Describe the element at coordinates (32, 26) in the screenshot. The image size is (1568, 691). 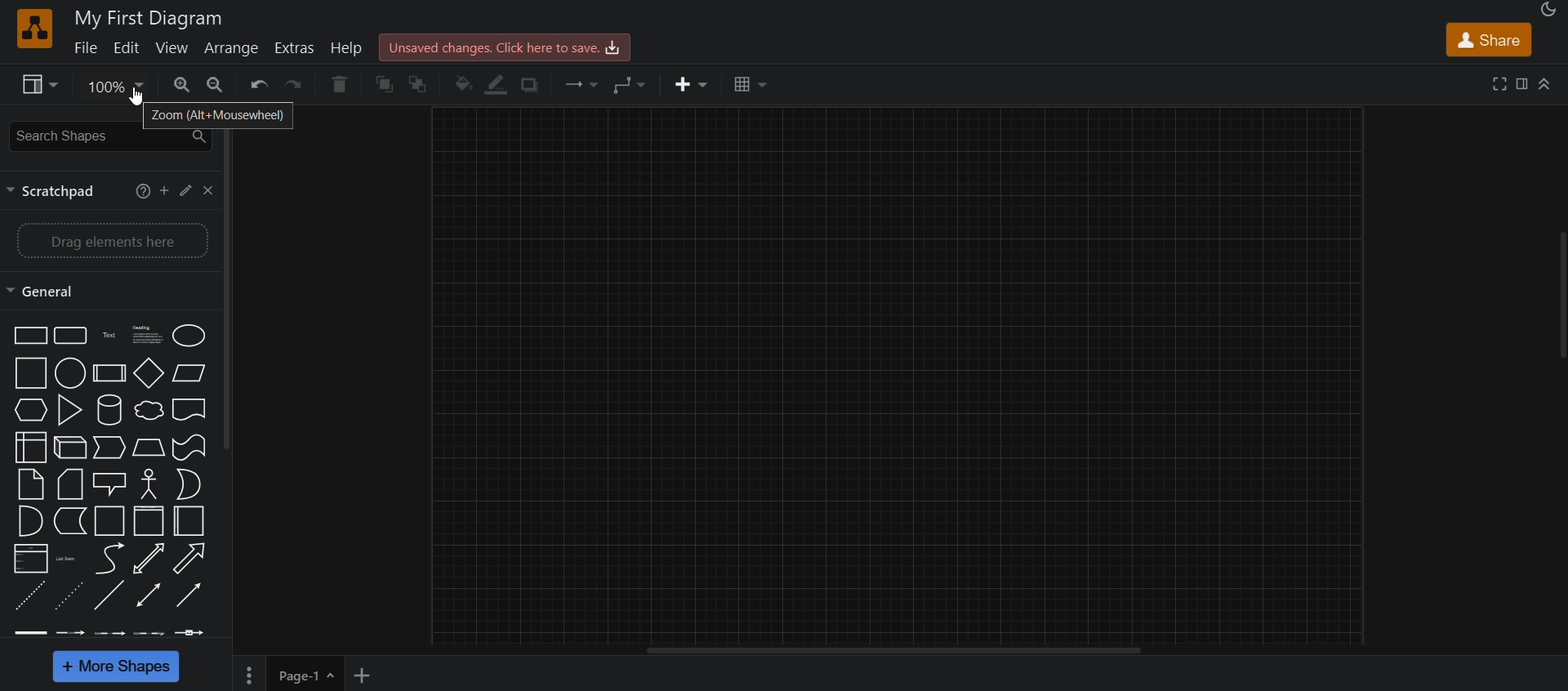
I see `logo` at that location.